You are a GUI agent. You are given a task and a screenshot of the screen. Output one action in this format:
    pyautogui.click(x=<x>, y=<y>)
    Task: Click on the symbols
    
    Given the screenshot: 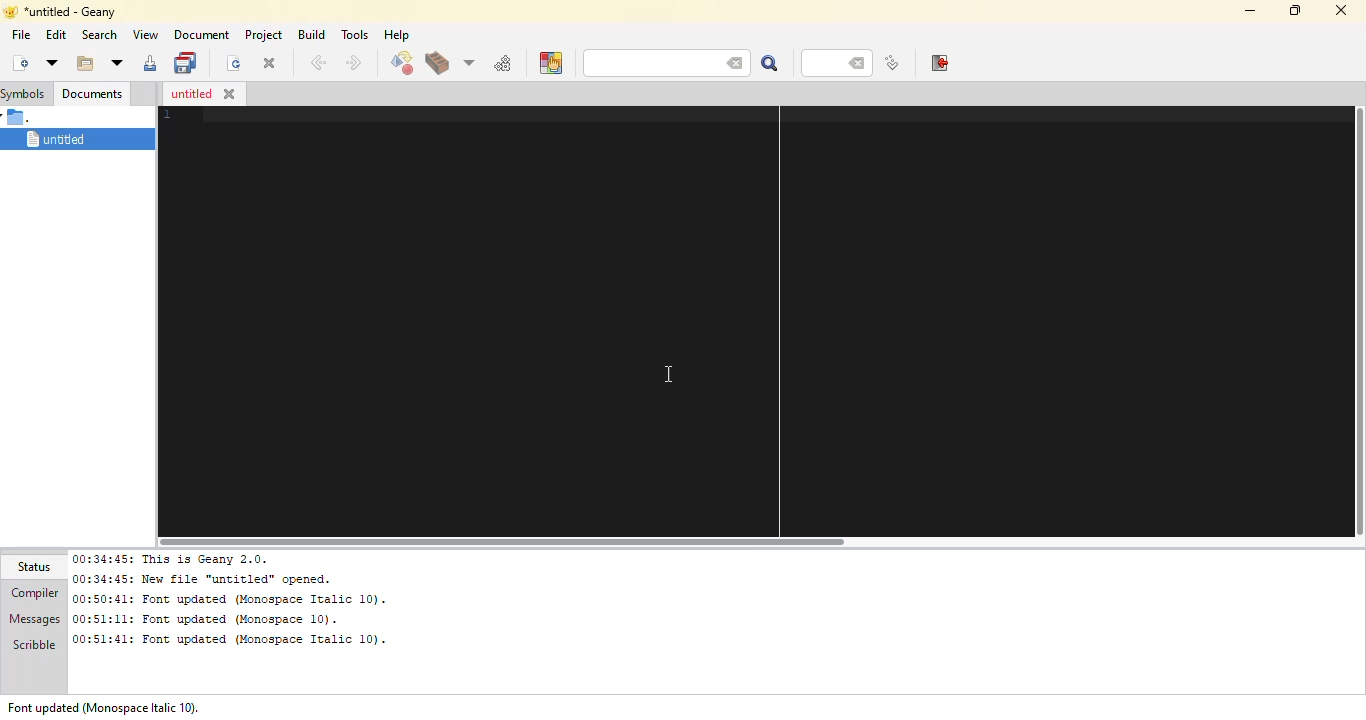 What is the action you would take?
    pyautogui.click(x=25, y=93)
    